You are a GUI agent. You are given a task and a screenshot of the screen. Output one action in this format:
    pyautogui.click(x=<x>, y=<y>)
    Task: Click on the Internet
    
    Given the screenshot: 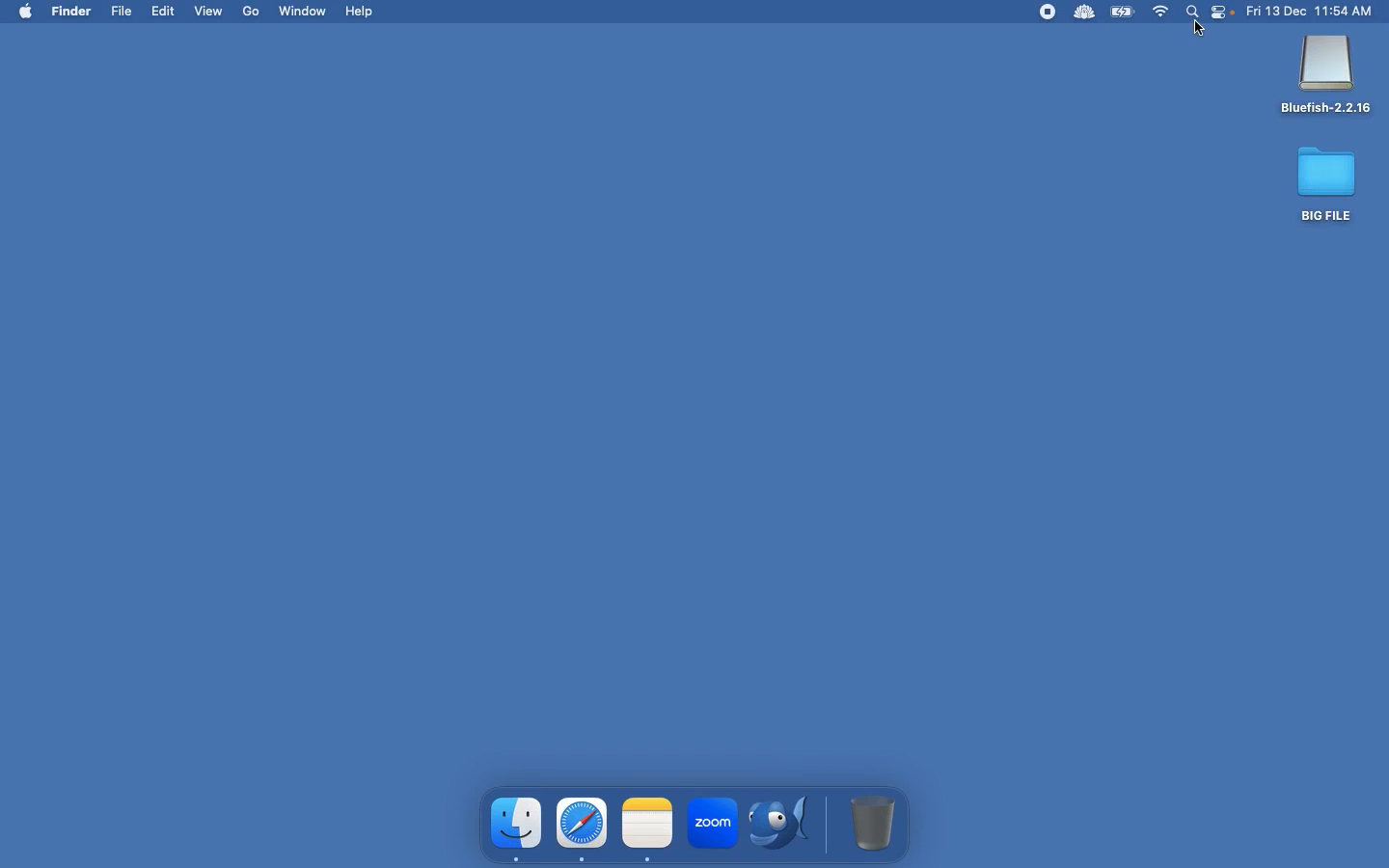 What is the action you would take?
    pyautogui.click(x=1161, y=13)
    